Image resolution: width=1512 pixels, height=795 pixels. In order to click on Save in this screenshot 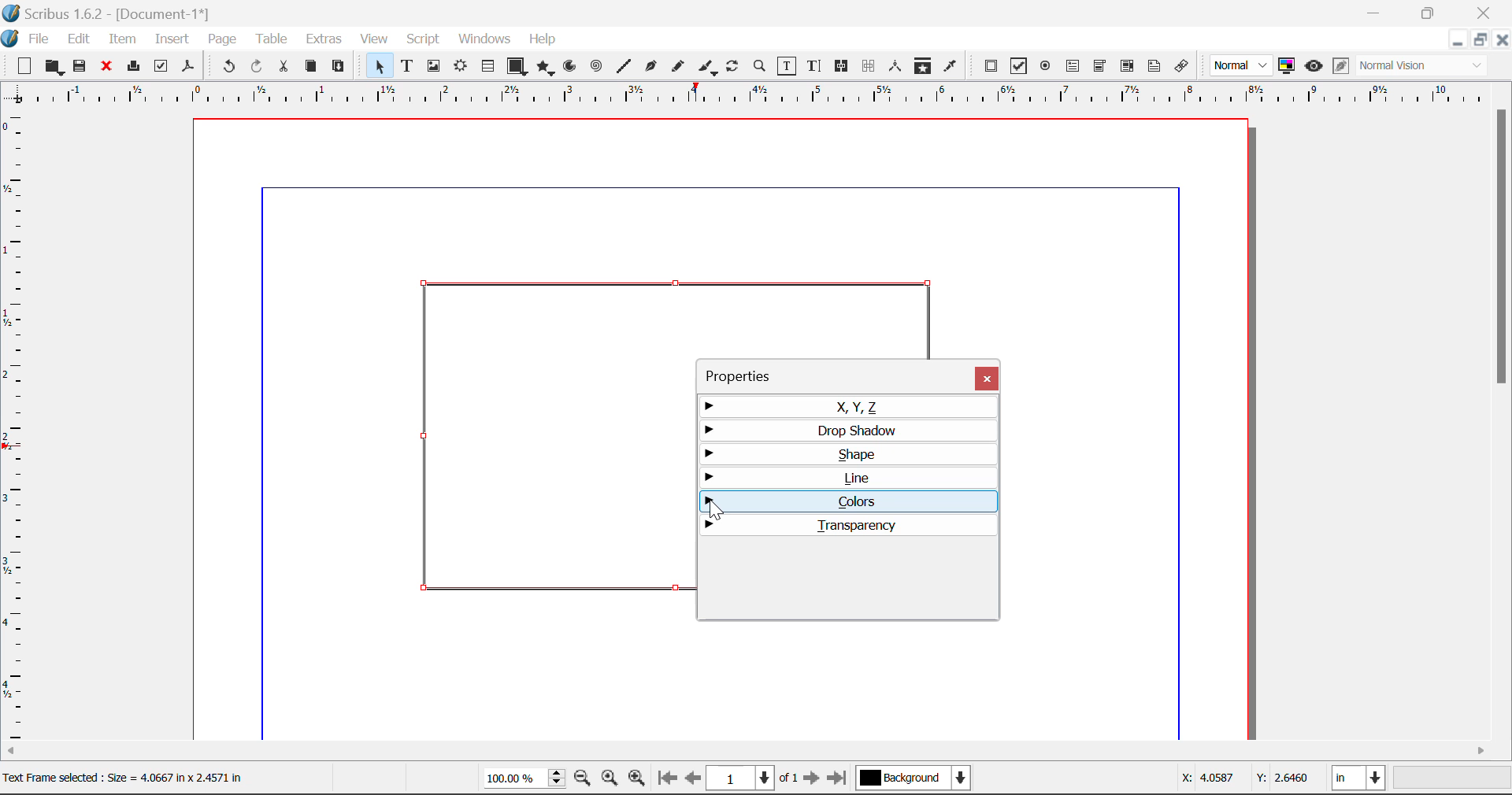, I will do `click(81, 66)`.